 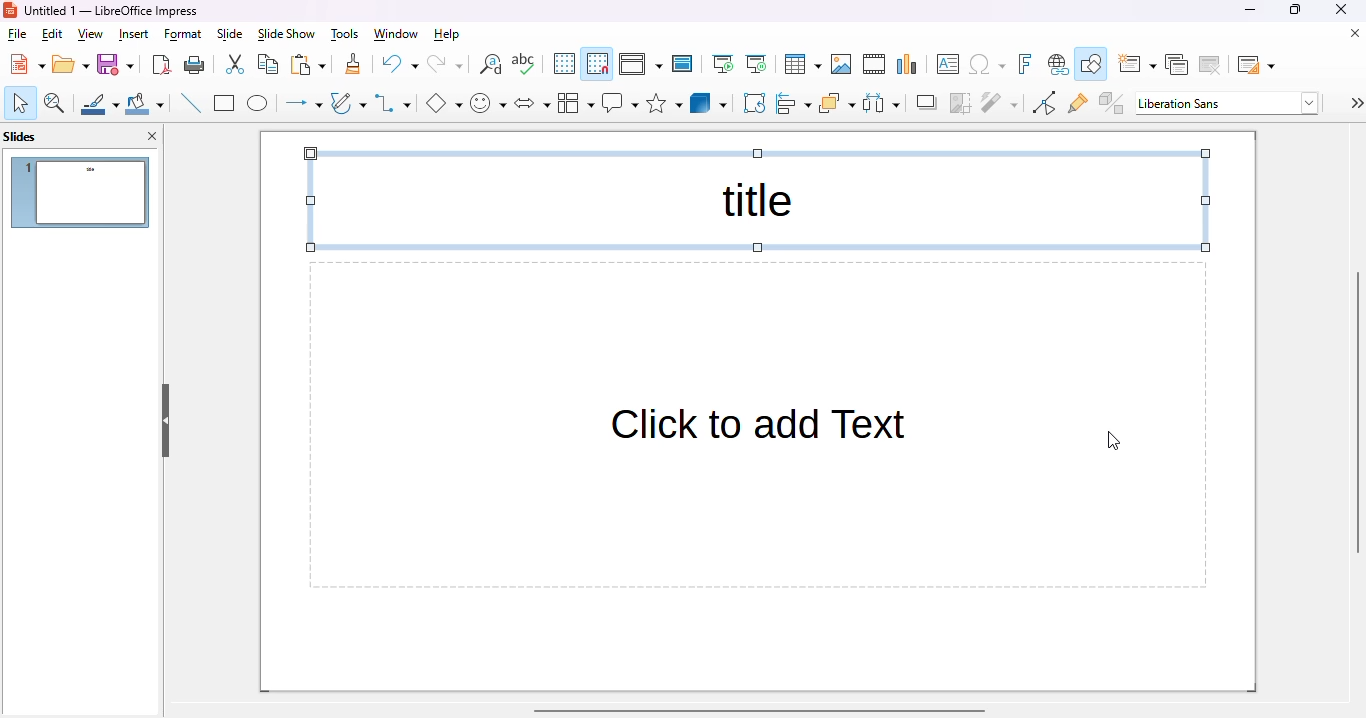 What do you see at coordinates (1078, 103) in the screenshot?
I see `show gluepoint functions` at bounding box center [1078, 103].